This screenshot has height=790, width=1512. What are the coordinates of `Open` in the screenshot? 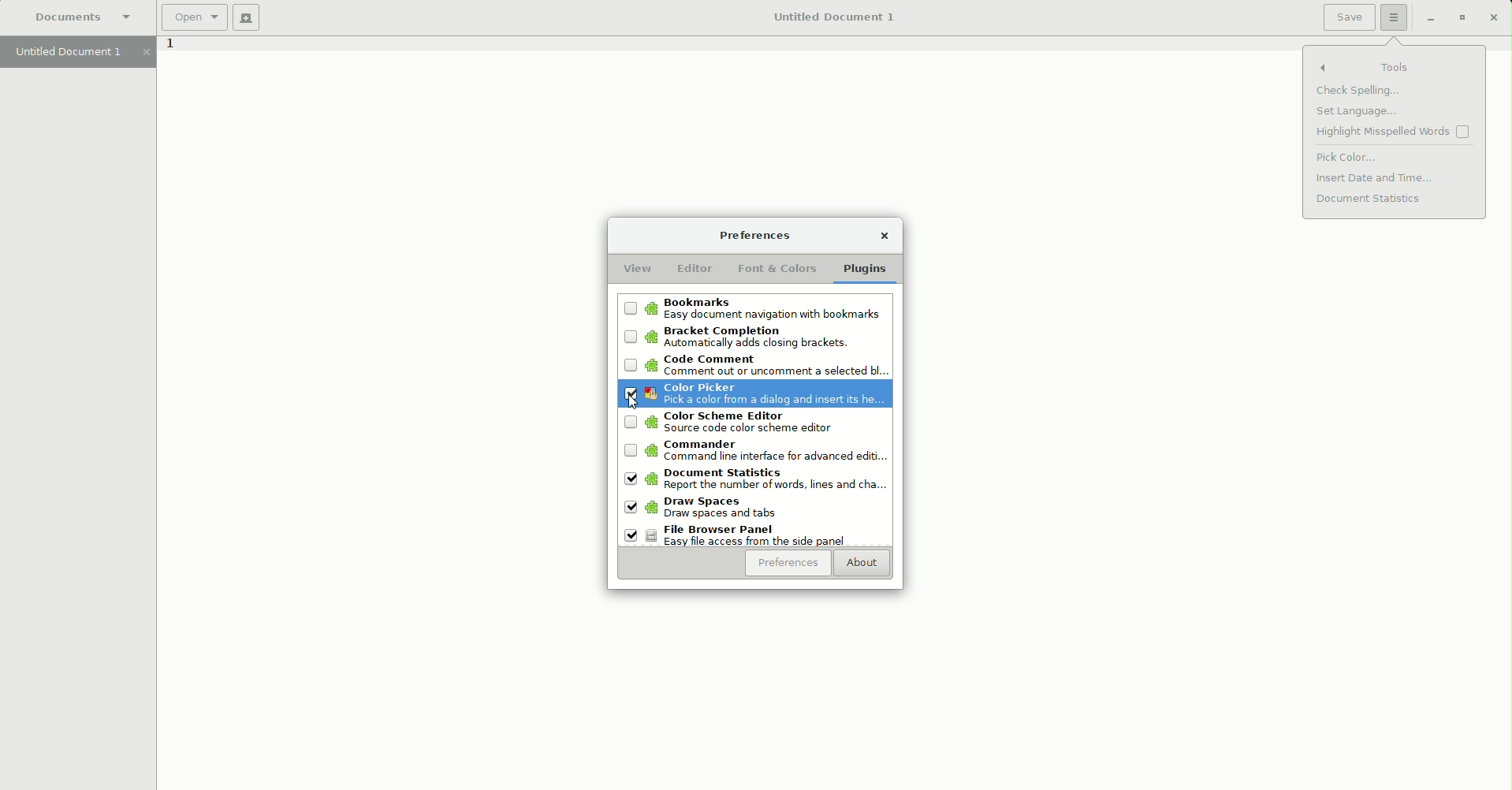 It's located at (193, 17).